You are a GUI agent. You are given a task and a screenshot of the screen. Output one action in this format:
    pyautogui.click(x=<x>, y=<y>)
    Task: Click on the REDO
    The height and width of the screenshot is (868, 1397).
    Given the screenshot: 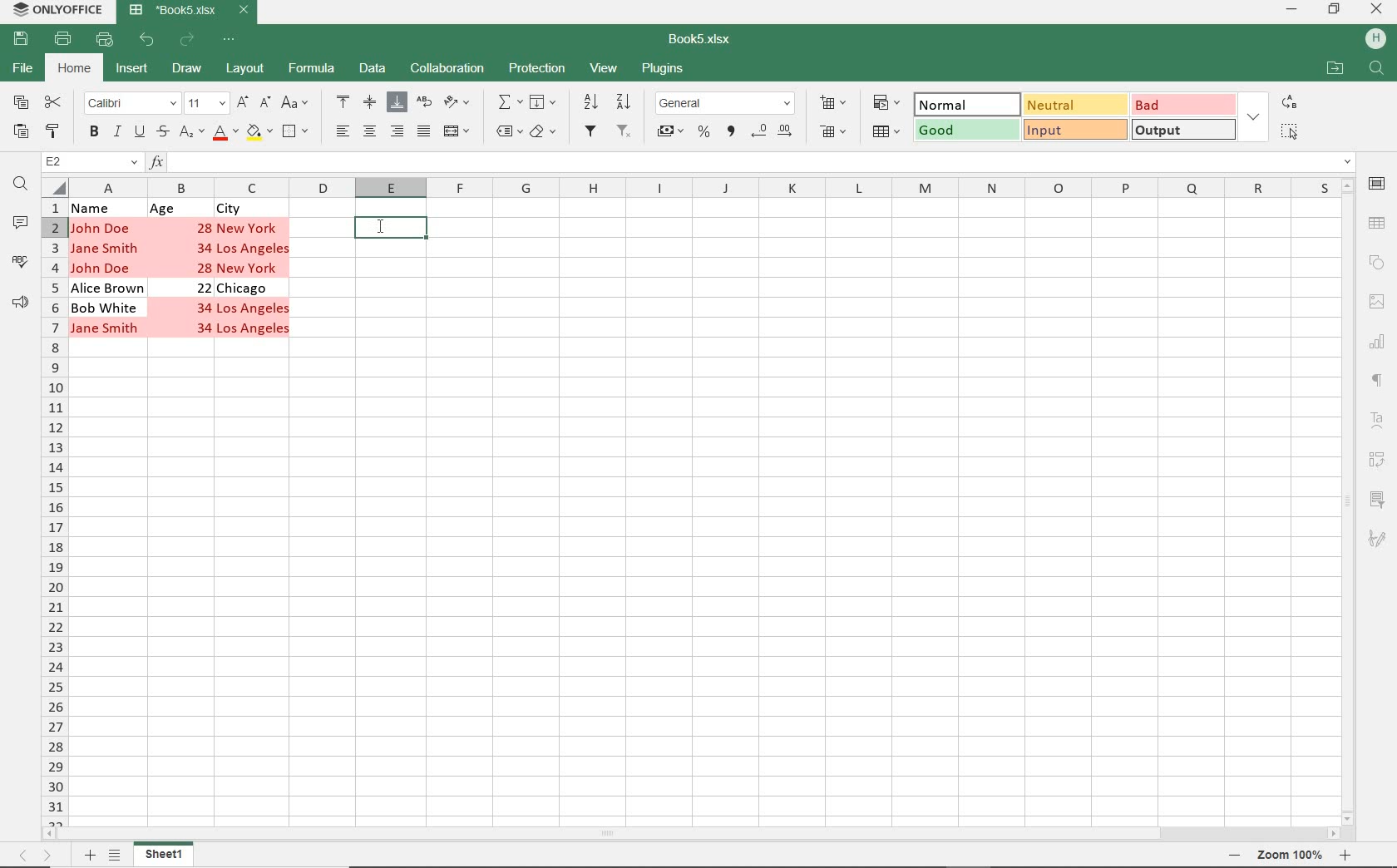 What is the action you would take?
    pyautogui.click(x=187, y=42)
    